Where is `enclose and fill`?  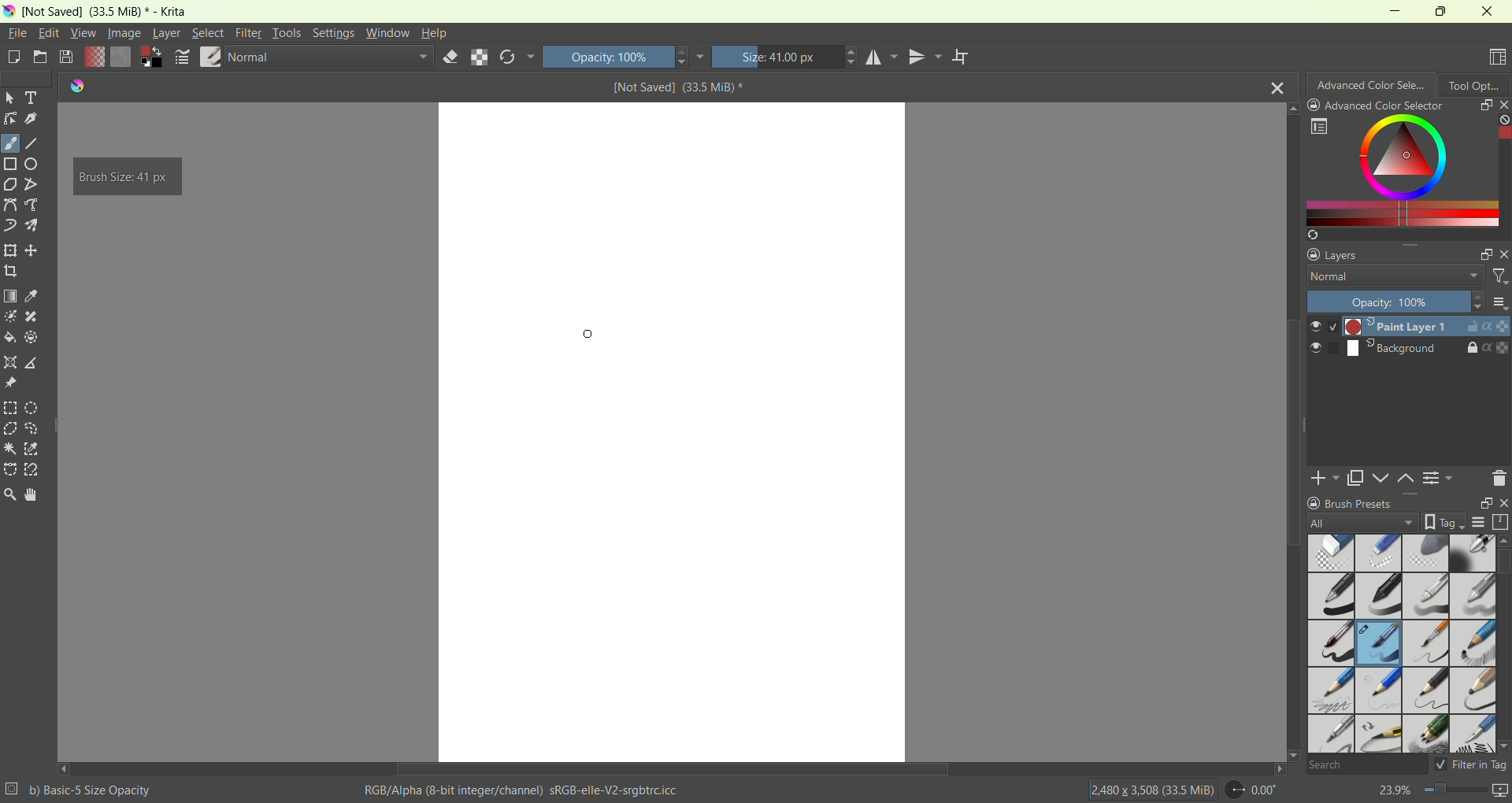
enclose and fill is located at coordinates (31, 339).